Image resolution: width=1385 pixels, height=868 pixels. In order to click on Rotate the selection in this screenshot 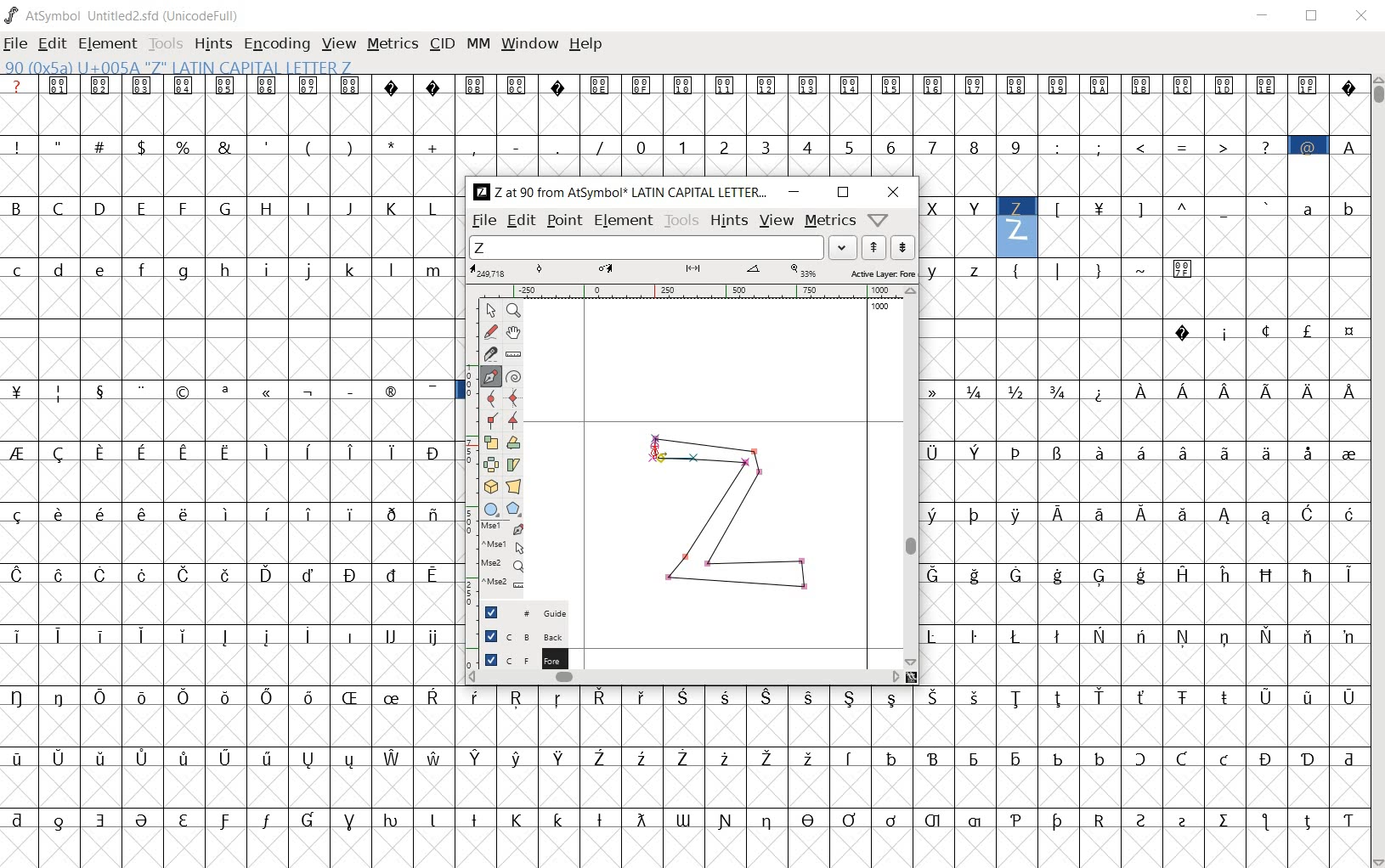, I will do `click(513, 444)`.